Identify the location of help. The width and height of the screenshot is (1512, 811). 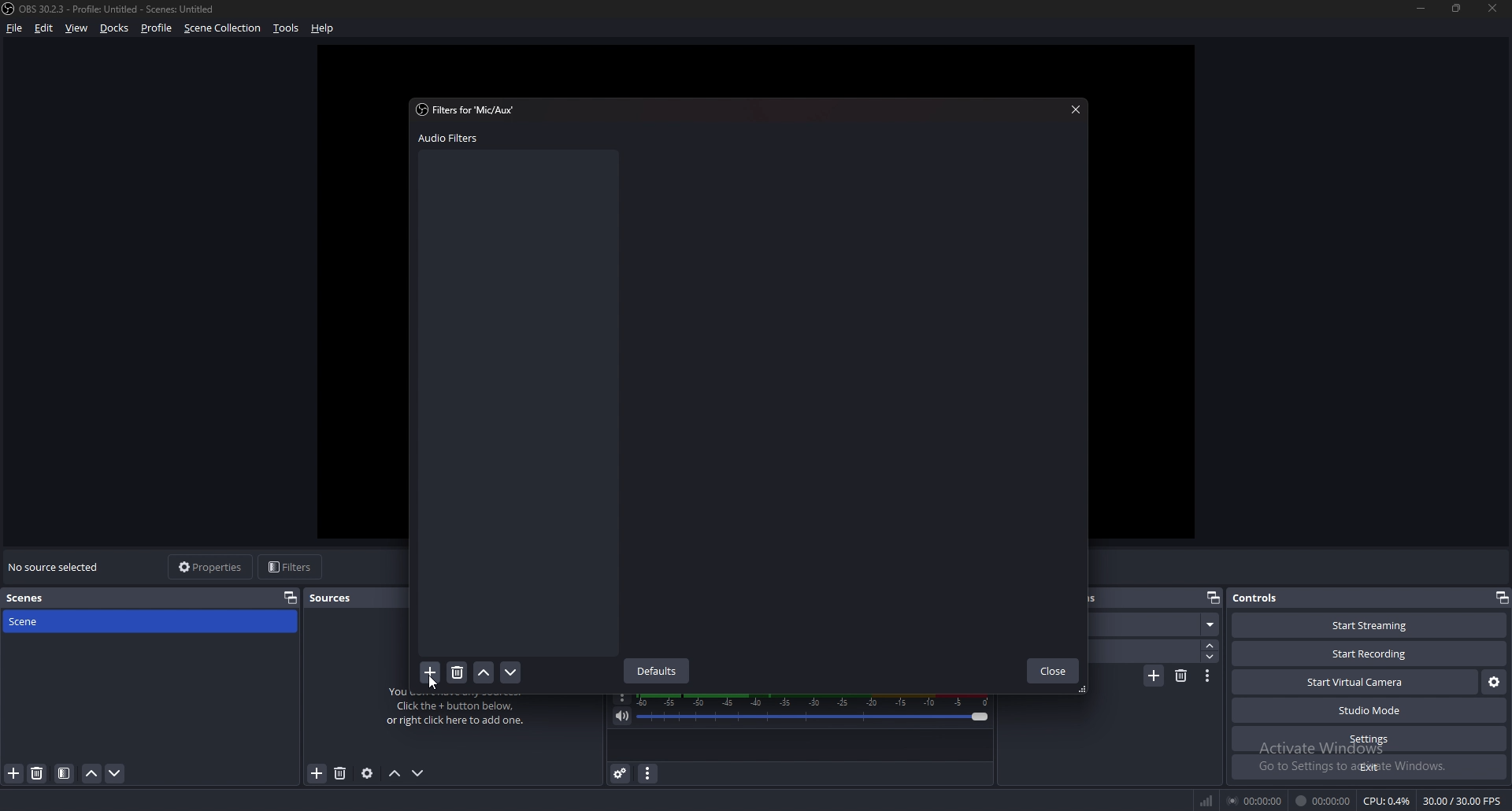
(325, 28).